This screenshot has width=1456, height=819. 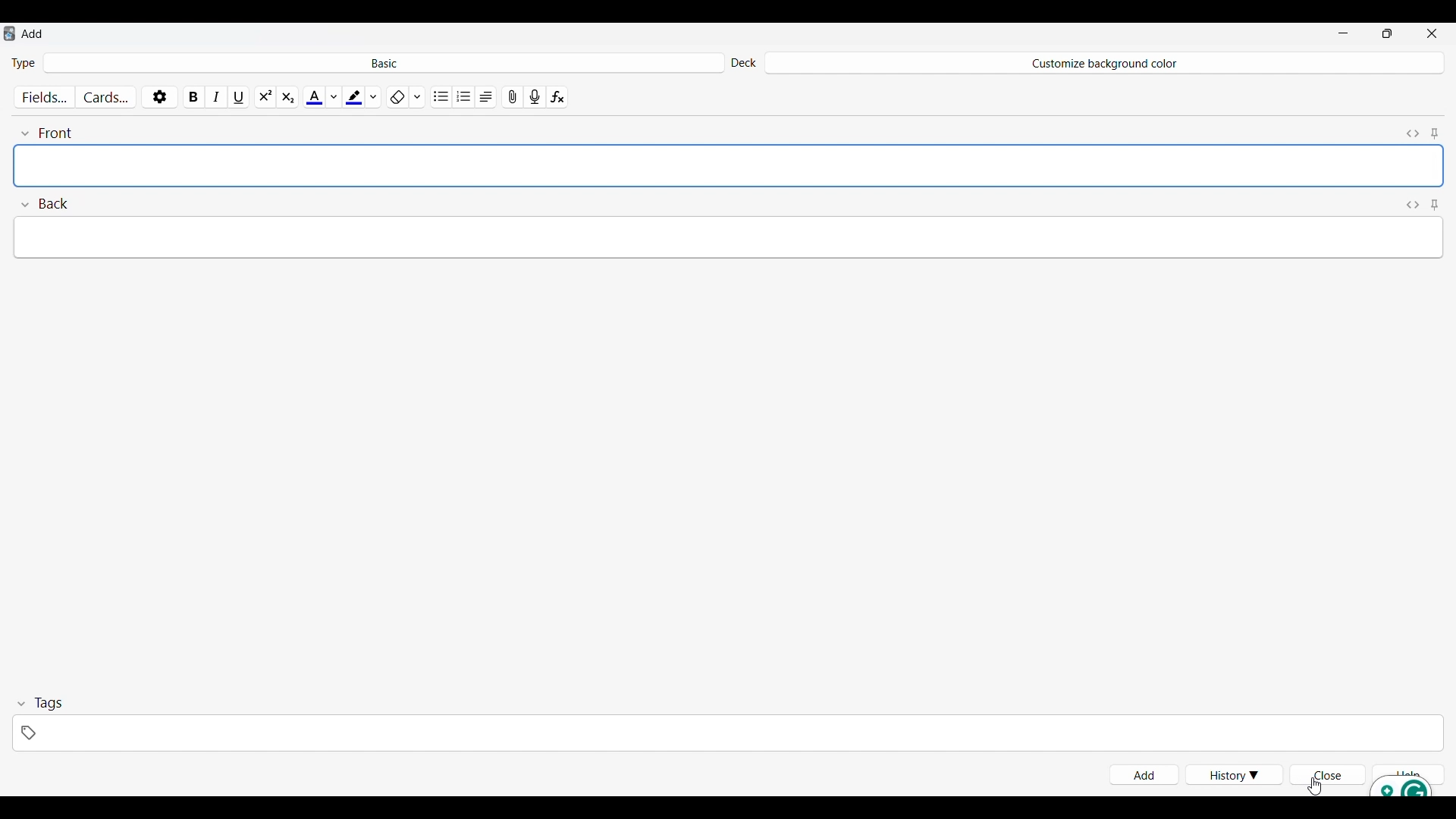 I want to click on Options, so click(x=159, y=94).